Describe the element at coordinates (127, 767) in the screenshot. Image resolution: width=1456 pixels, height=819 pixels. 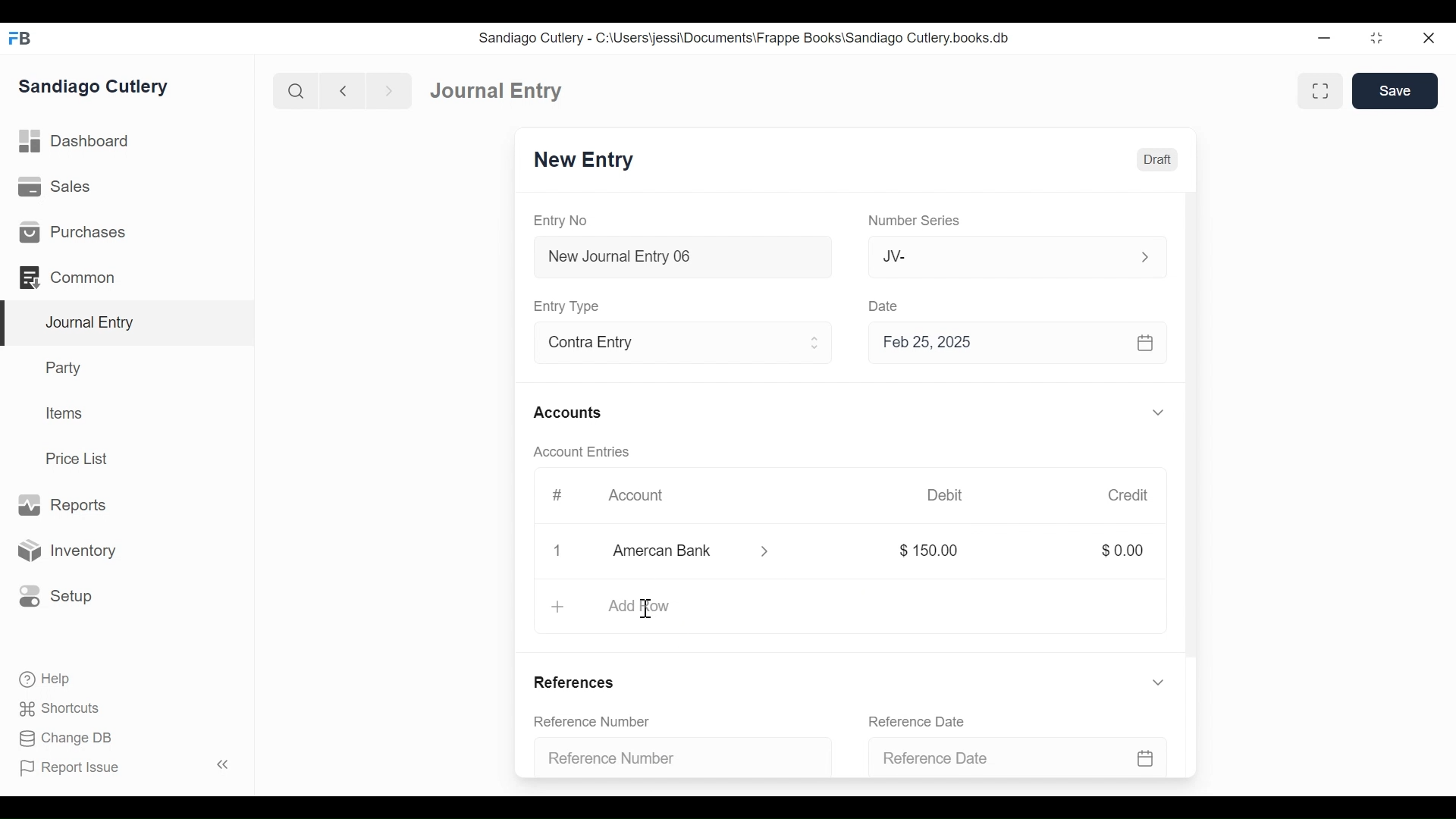
I see `Report Issue` at that location.